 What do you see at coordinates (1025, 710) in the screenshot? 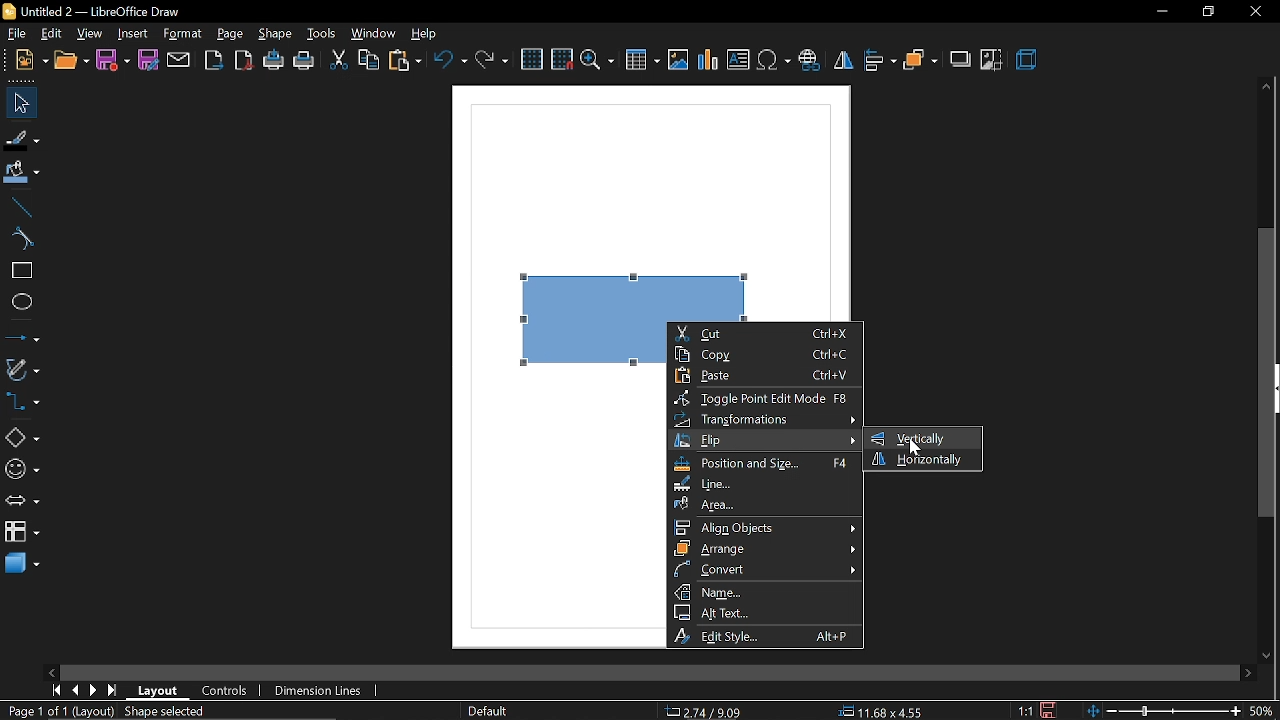
I see `1:1` at bounding box center [1025, 710].